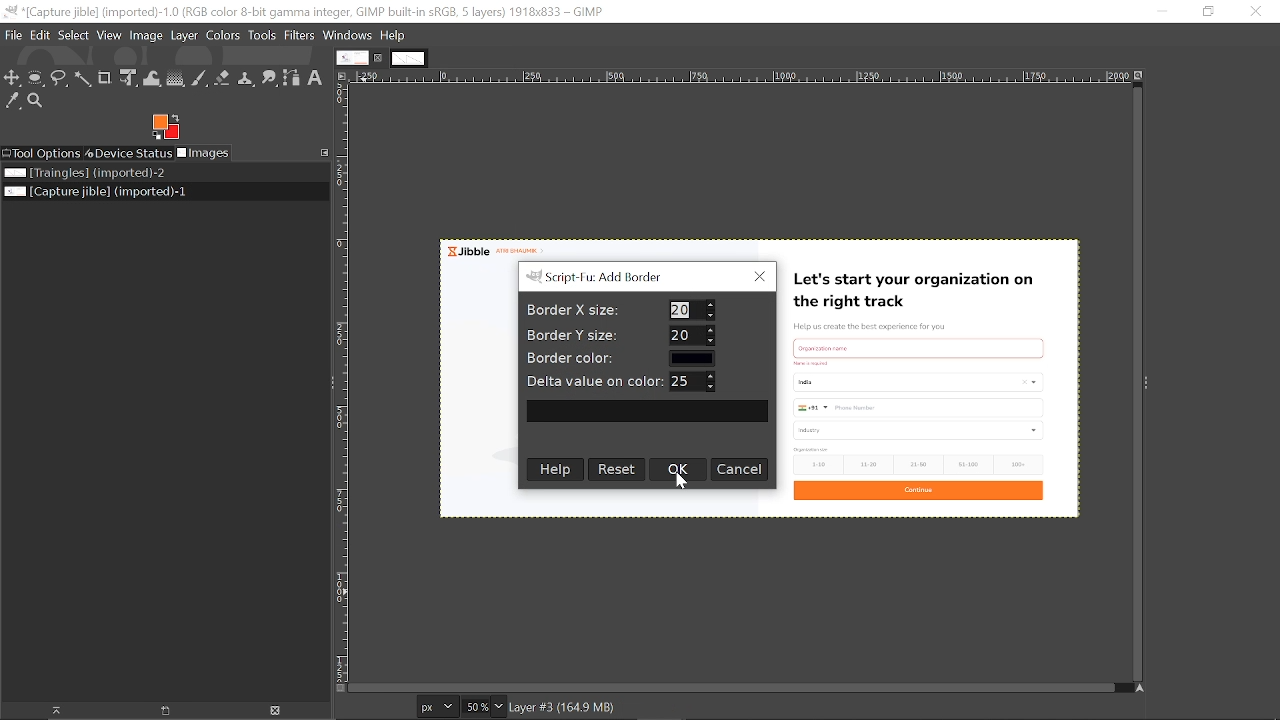 Image resolution: width=1280 pixels, height=720 pixels. Describe the element at coordinates (147, 36) in the screenshot. I see `Image` at that location.